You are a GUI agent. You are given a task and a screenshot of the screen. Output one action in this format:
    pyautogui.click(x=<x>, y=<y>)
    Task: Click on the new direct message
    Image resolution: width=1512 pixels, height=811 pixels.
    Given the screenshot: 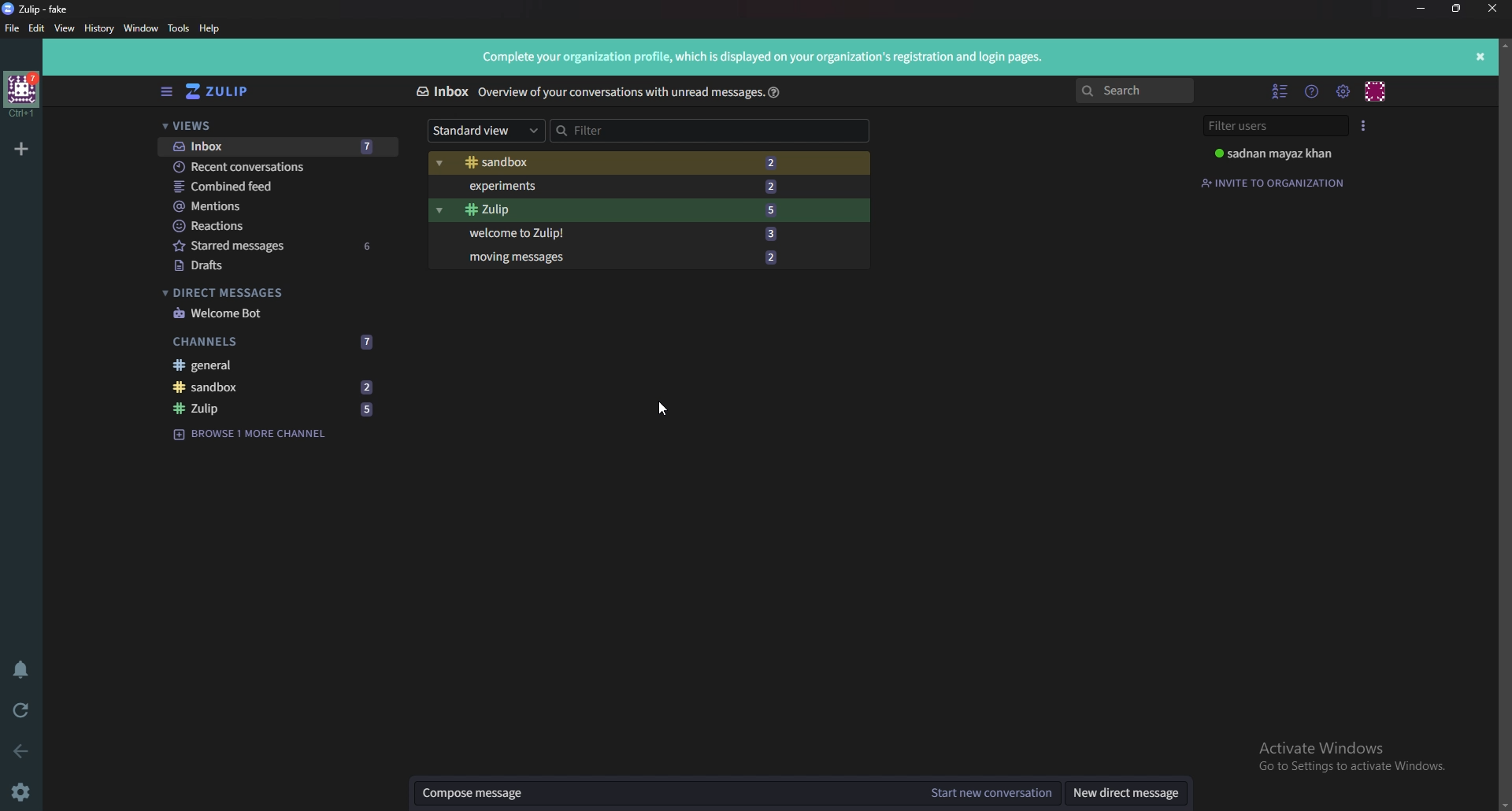 What is the action you would take?
    pyautogui.click(x=1125, y=794)
    